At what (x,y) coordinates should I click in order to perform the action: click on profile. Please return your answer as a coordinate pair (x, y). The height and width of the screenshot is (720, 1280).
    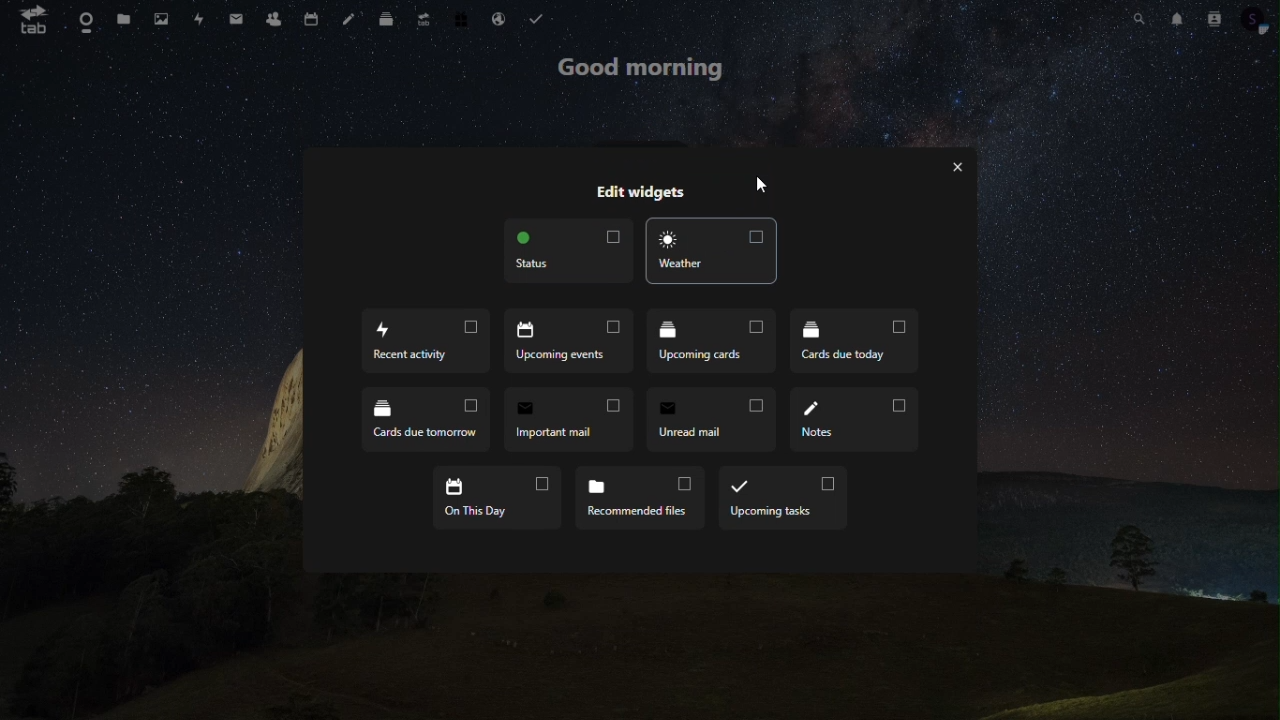
    Looking at the image, I should click on (1256, 23).